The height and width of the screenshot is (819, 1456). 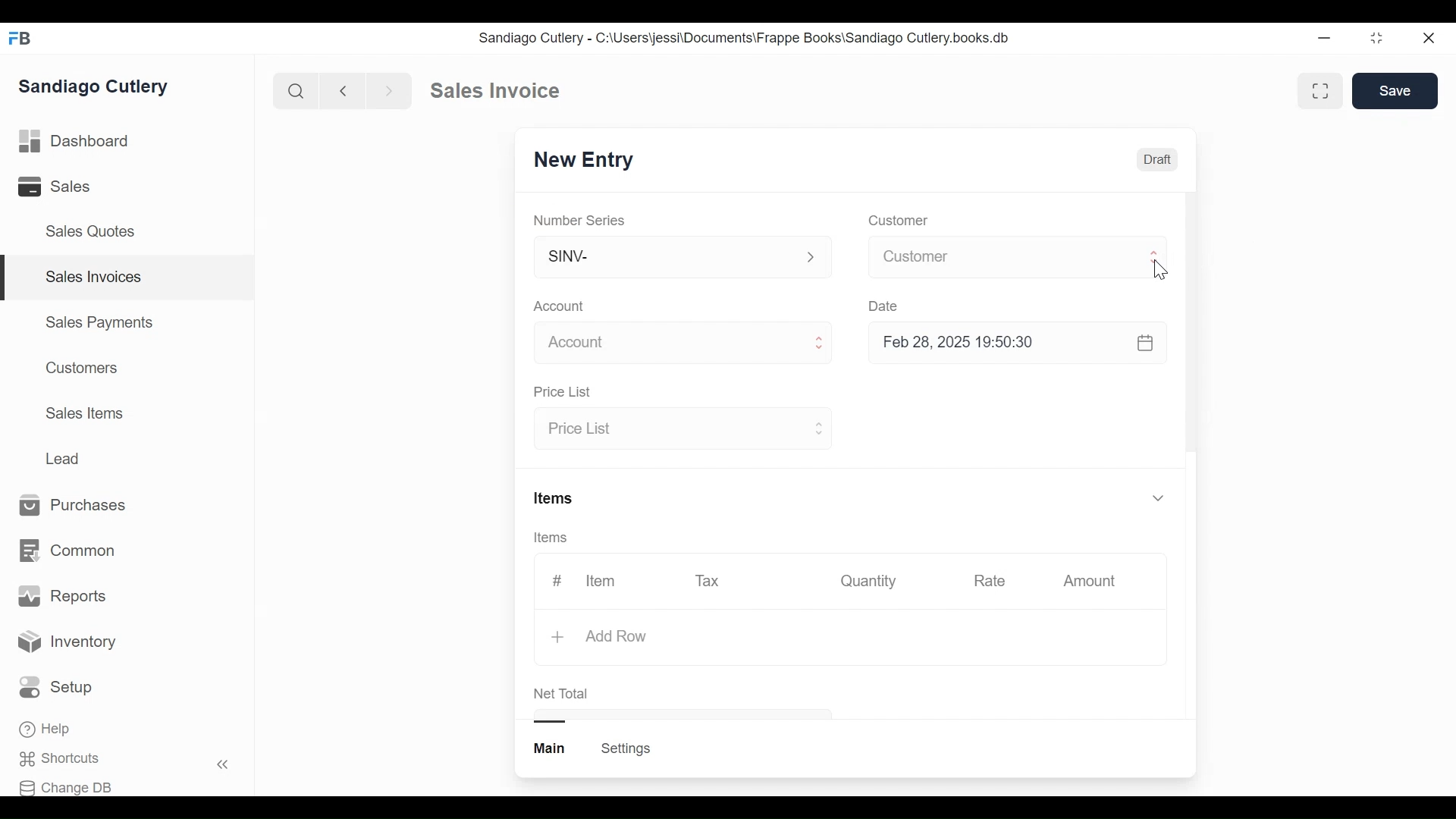 I want to click on + Add Row, so click(x=598, y=636).